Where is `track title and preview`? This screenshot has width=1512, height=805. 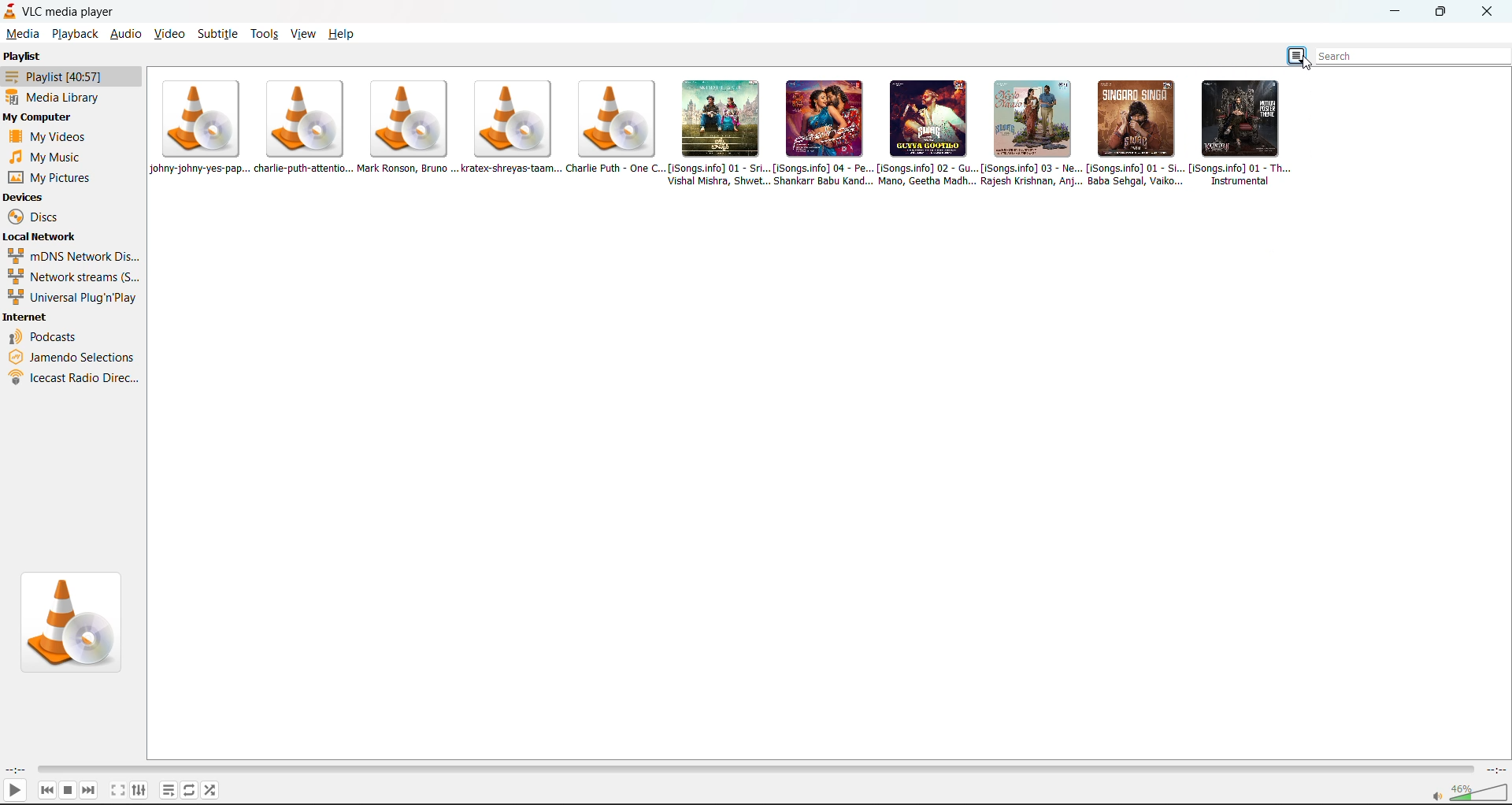 track title and preview is located at coordinates (406, 128).